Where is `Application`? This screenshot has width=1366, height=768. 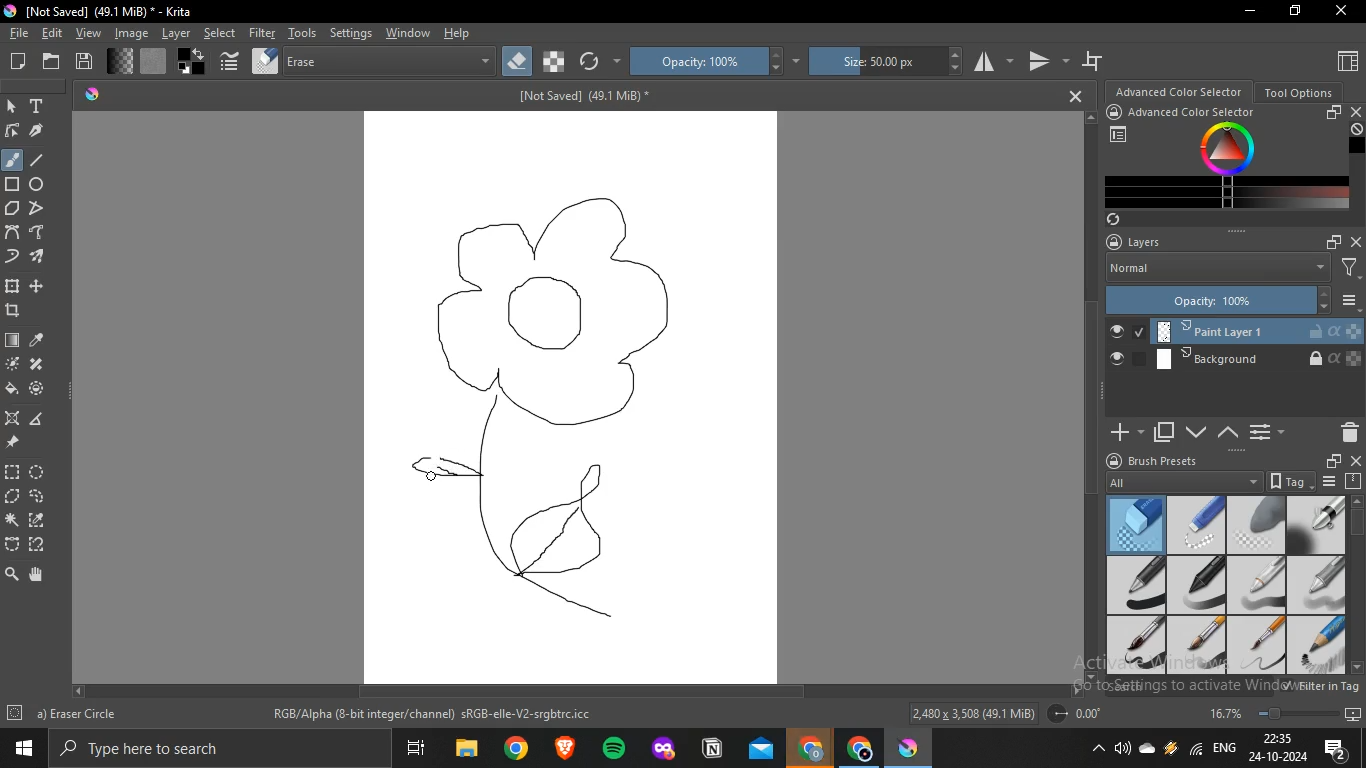
Application is located at coordinates (713, 748).